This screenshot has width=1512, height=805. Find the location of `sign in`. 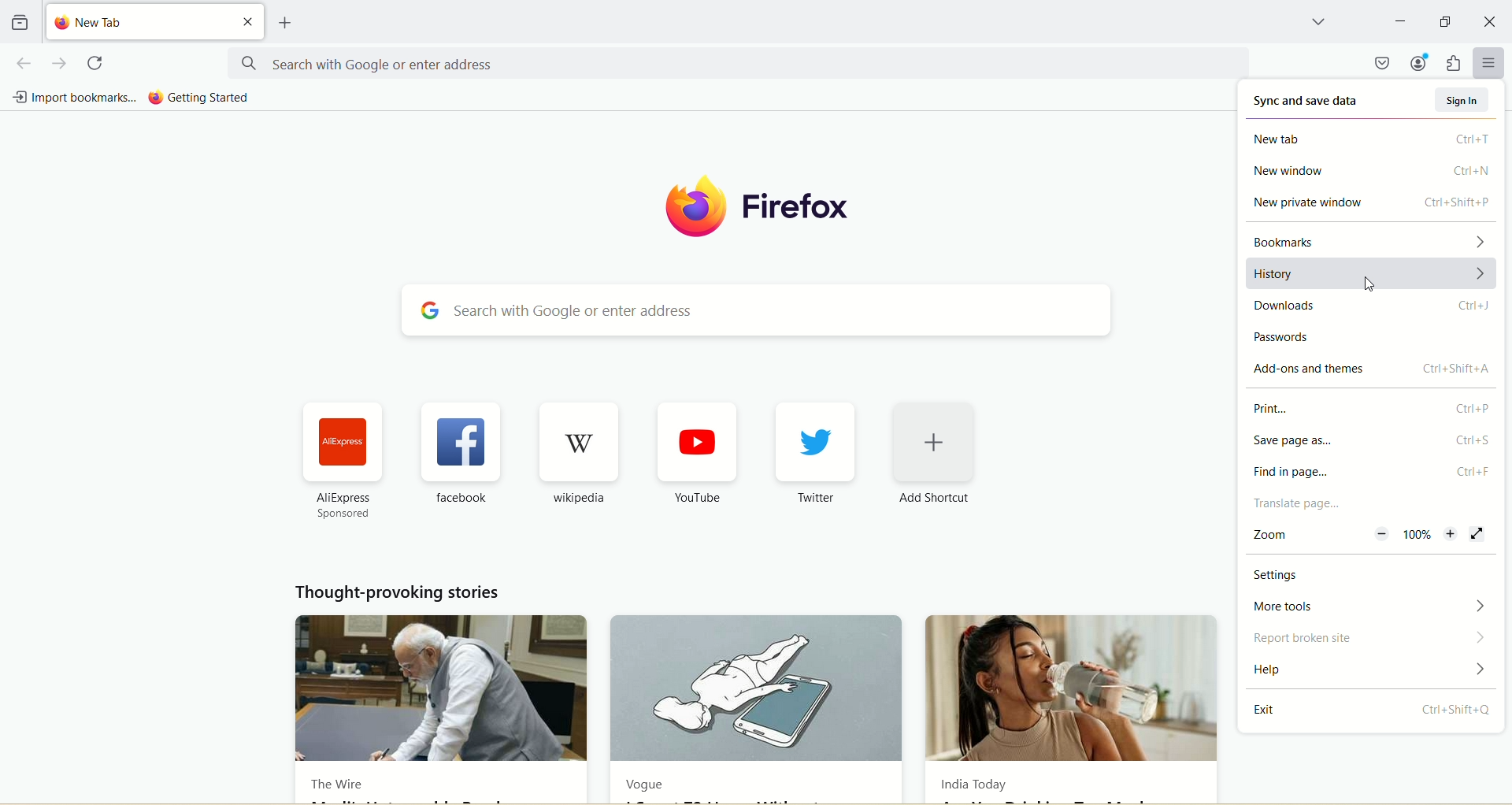

sign in is located at coordinates (1462, 98).